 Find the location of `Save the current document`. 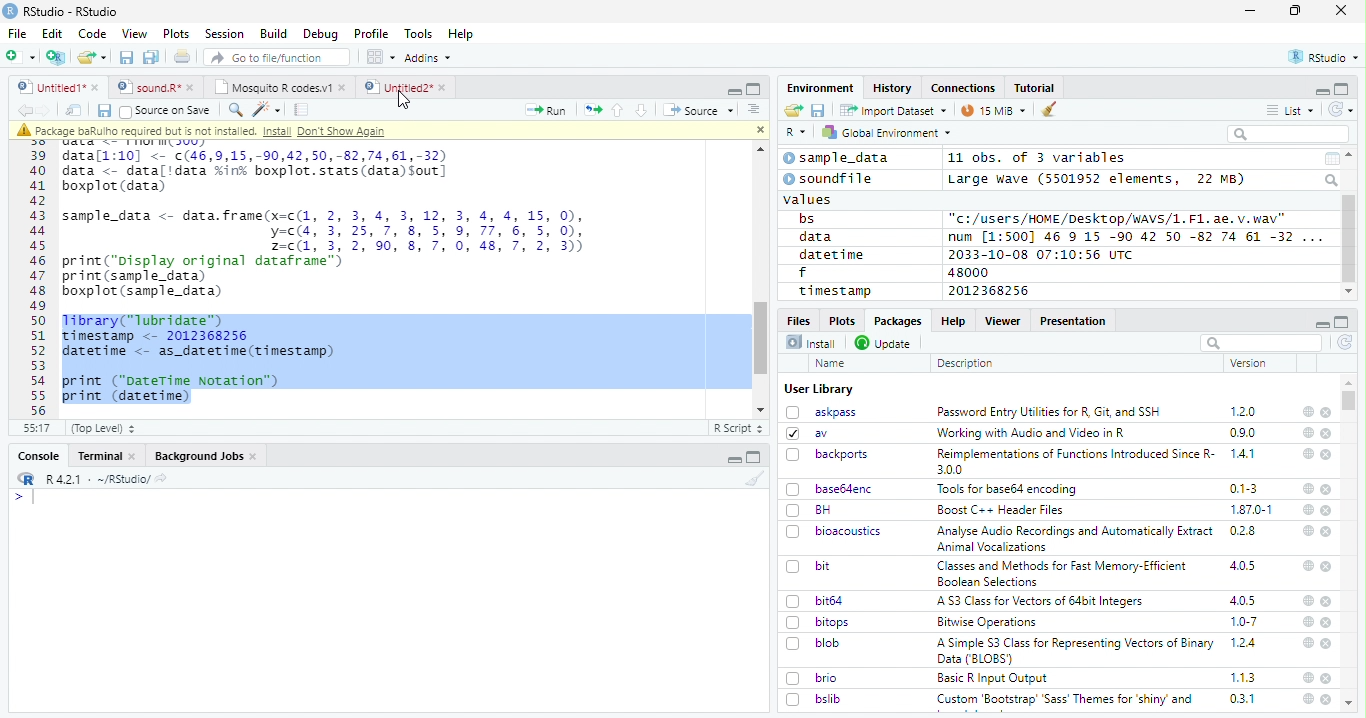

Save the current document is located at coordinates (127, 58).